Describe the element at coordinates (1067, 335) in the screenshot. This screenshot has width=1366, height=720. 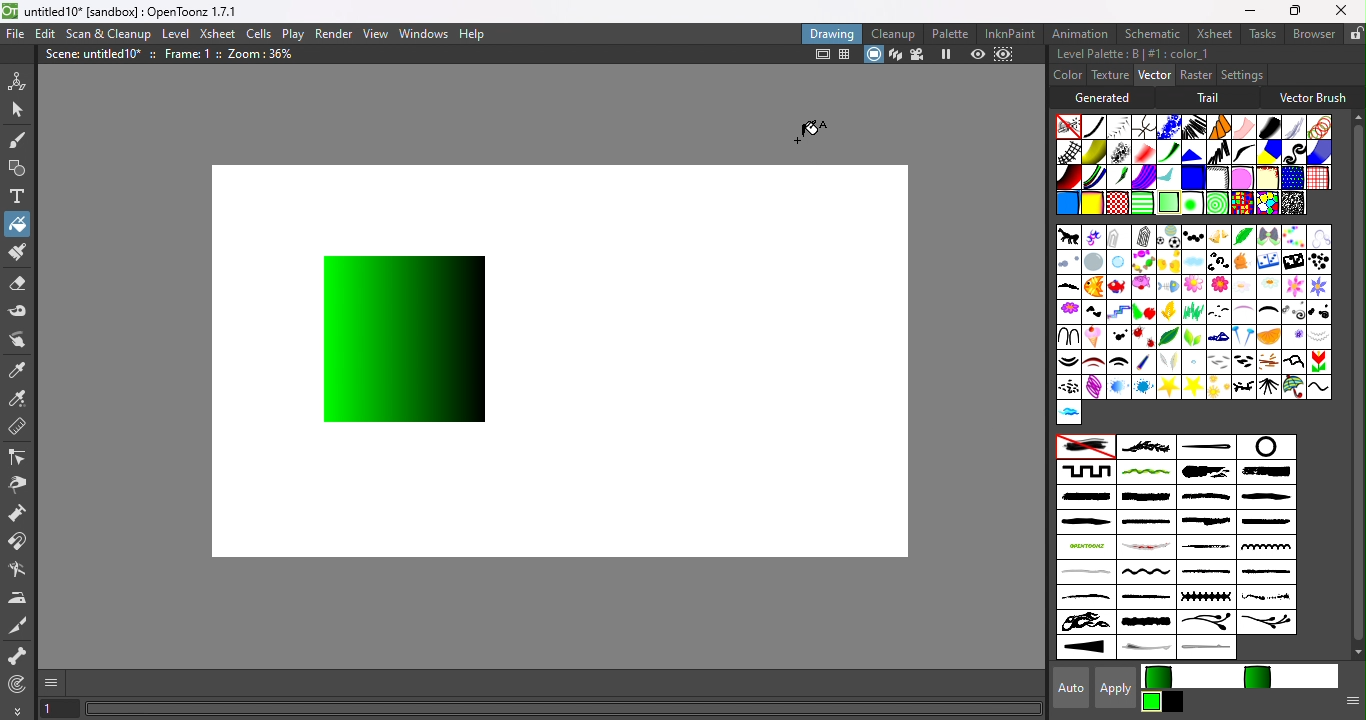
I see `hook` at that location.